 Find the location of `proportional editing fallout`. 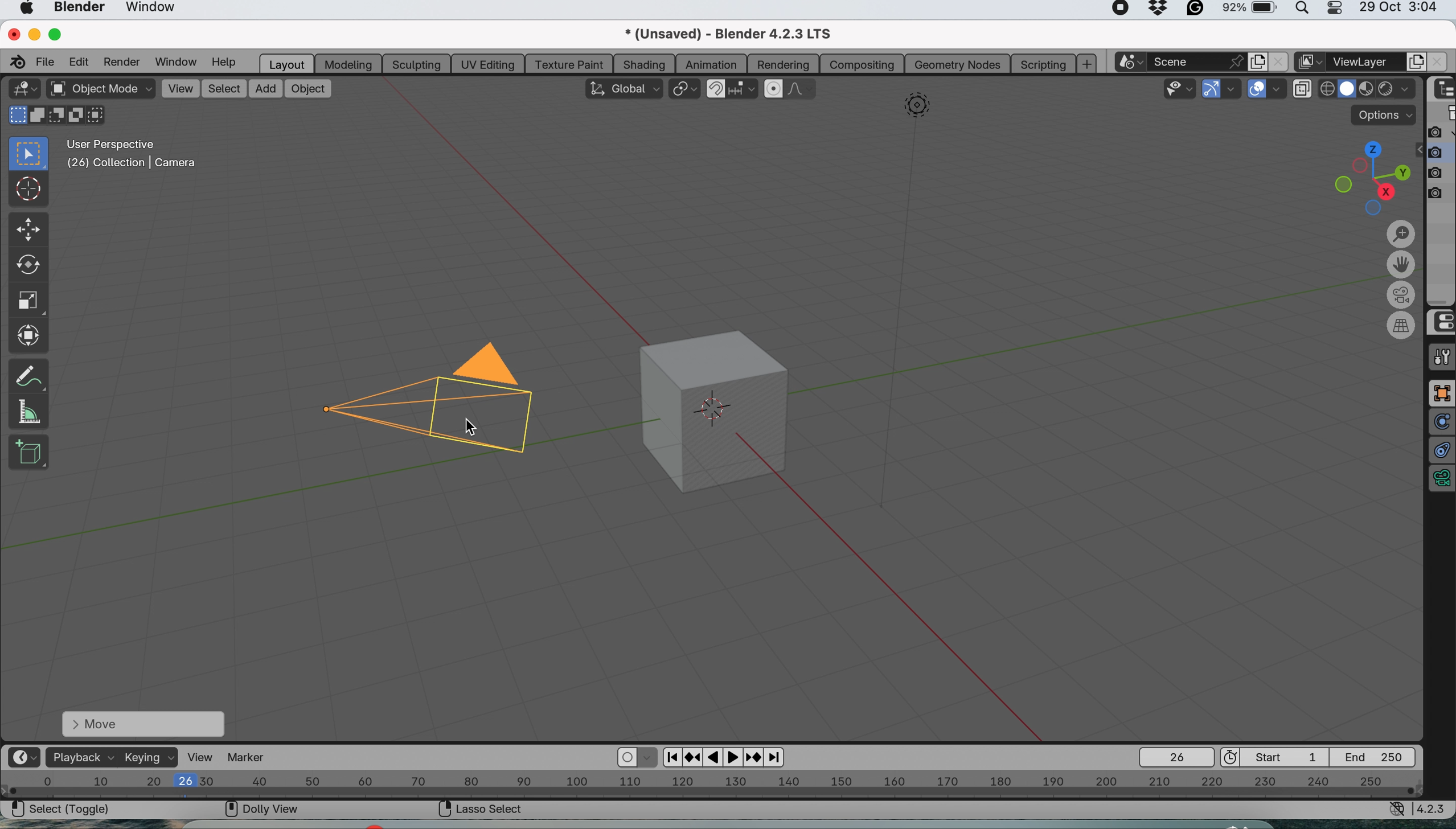

proportional editing fallout is located at coordinates (803, 89).